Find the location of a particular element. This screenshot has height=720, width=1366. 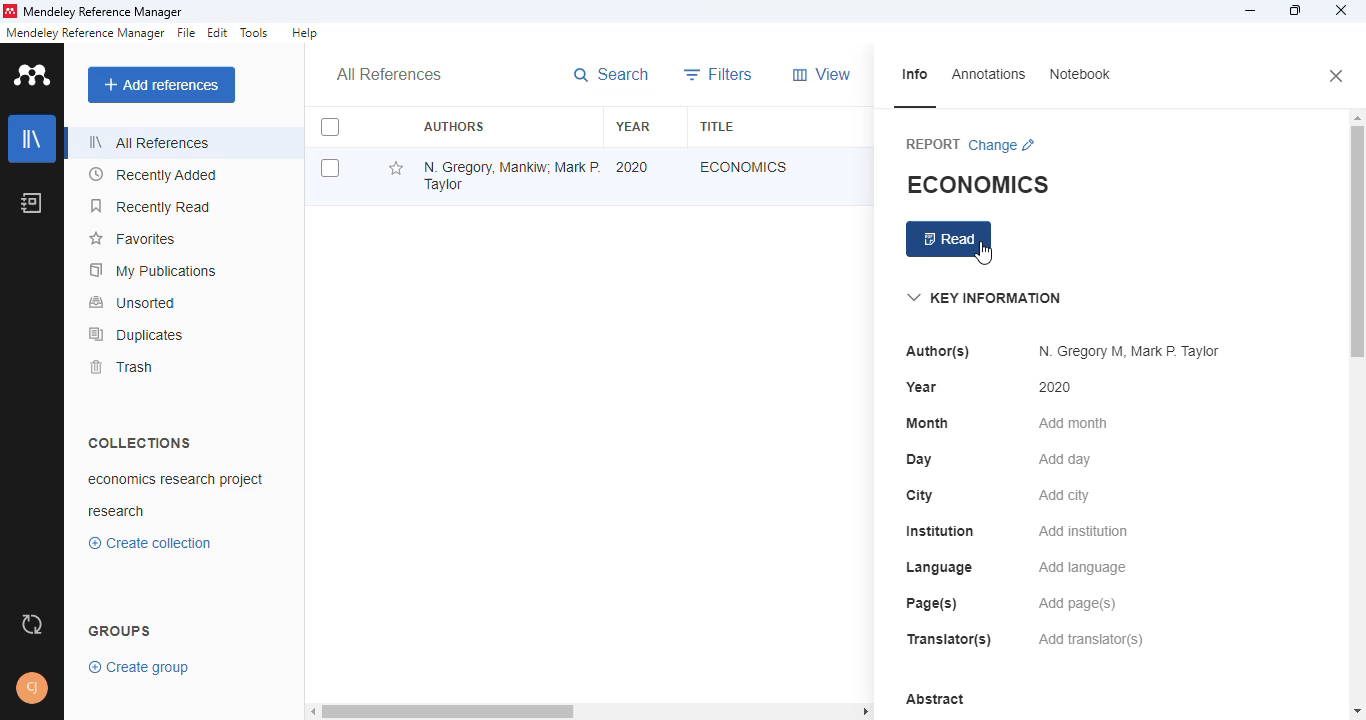

add language is located at coordinates (1083, 568).